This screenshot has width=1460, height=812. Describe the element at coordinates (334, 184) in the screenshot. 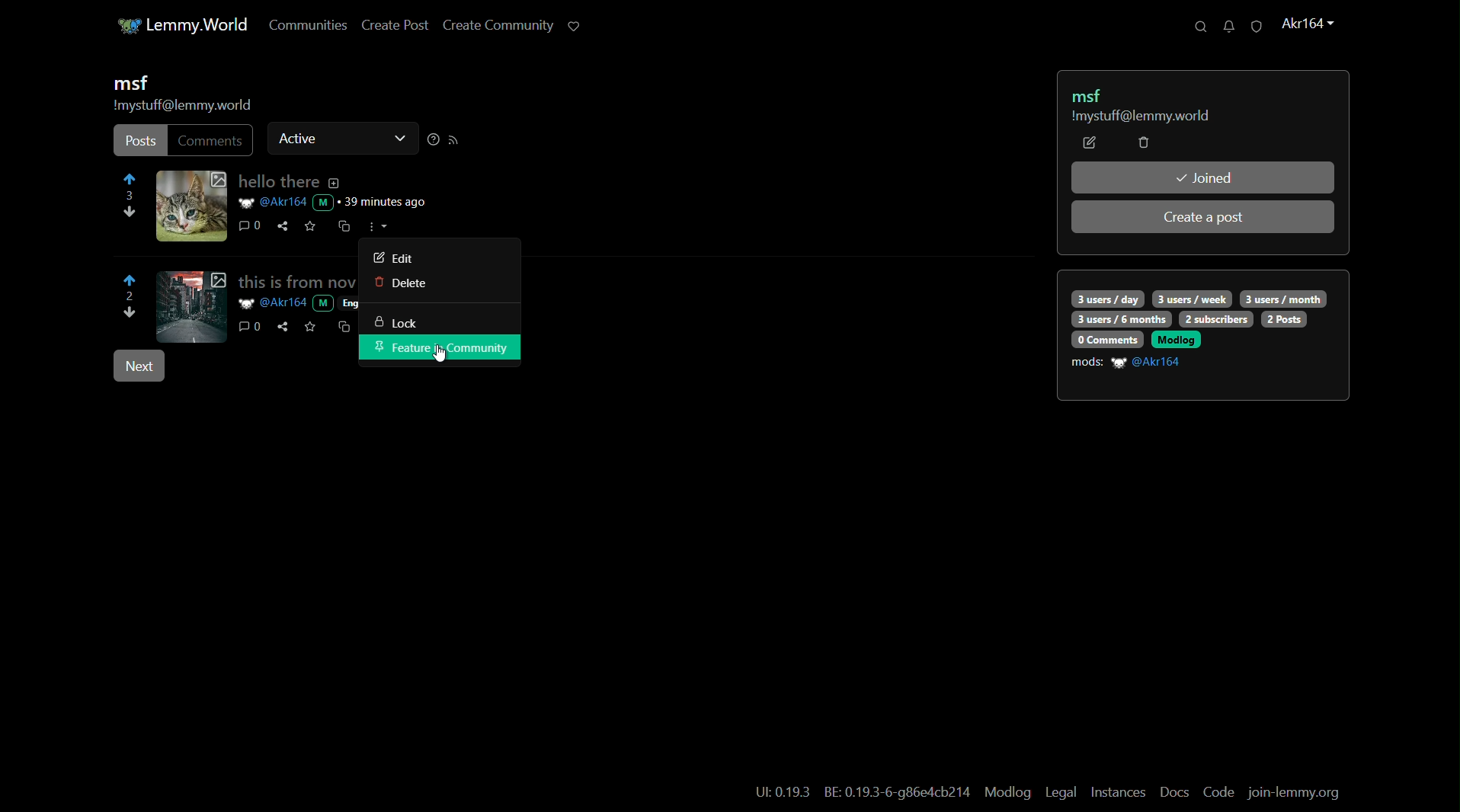

I see `more info` at that location.